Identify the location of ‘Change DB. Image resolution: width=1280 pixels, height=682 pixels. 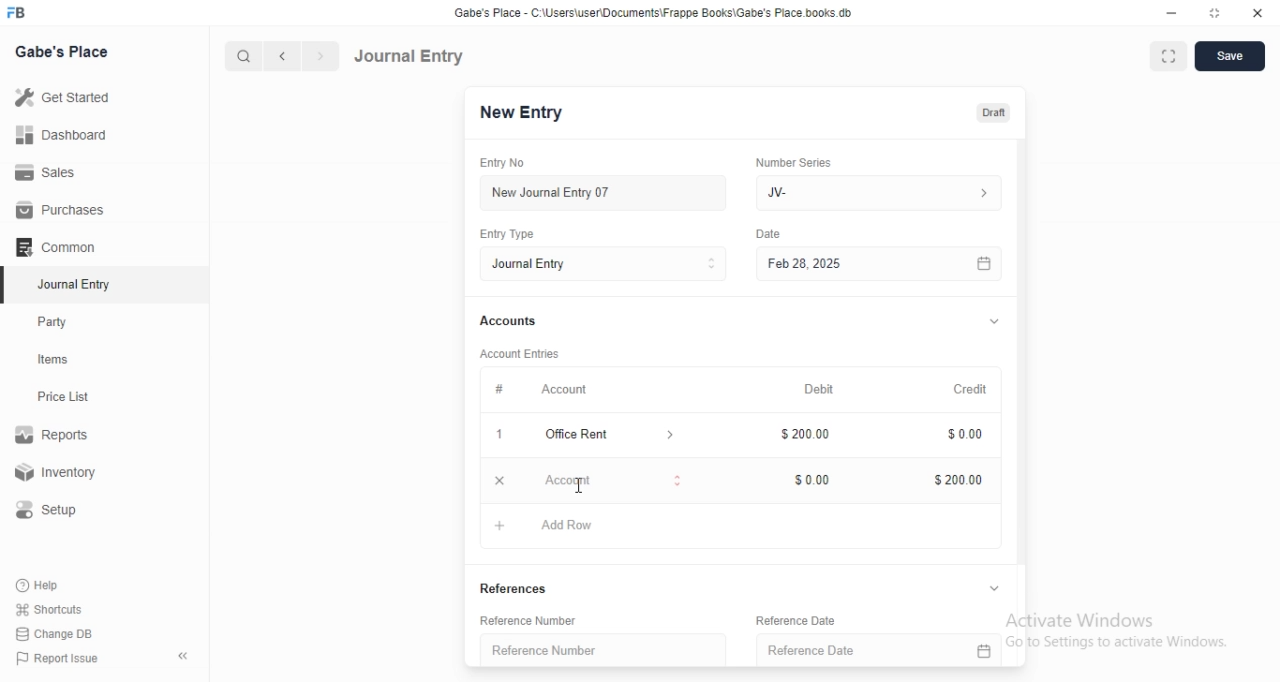
(55, 634).